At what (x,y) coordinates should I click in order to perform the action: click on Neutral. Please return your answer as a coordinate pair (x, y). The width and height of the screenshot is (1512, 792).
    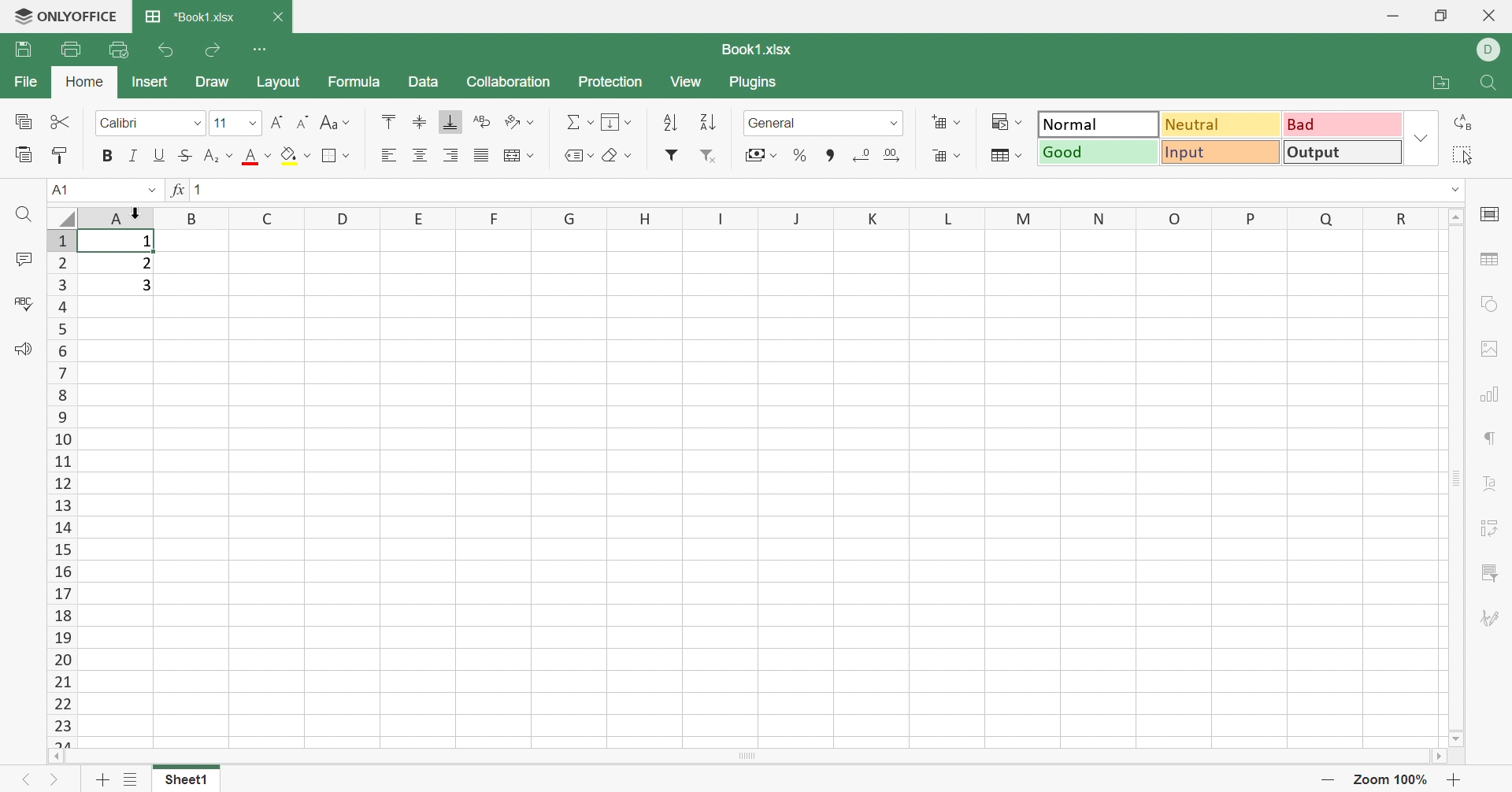
    Looking at the image, I should click on (1222, 126).